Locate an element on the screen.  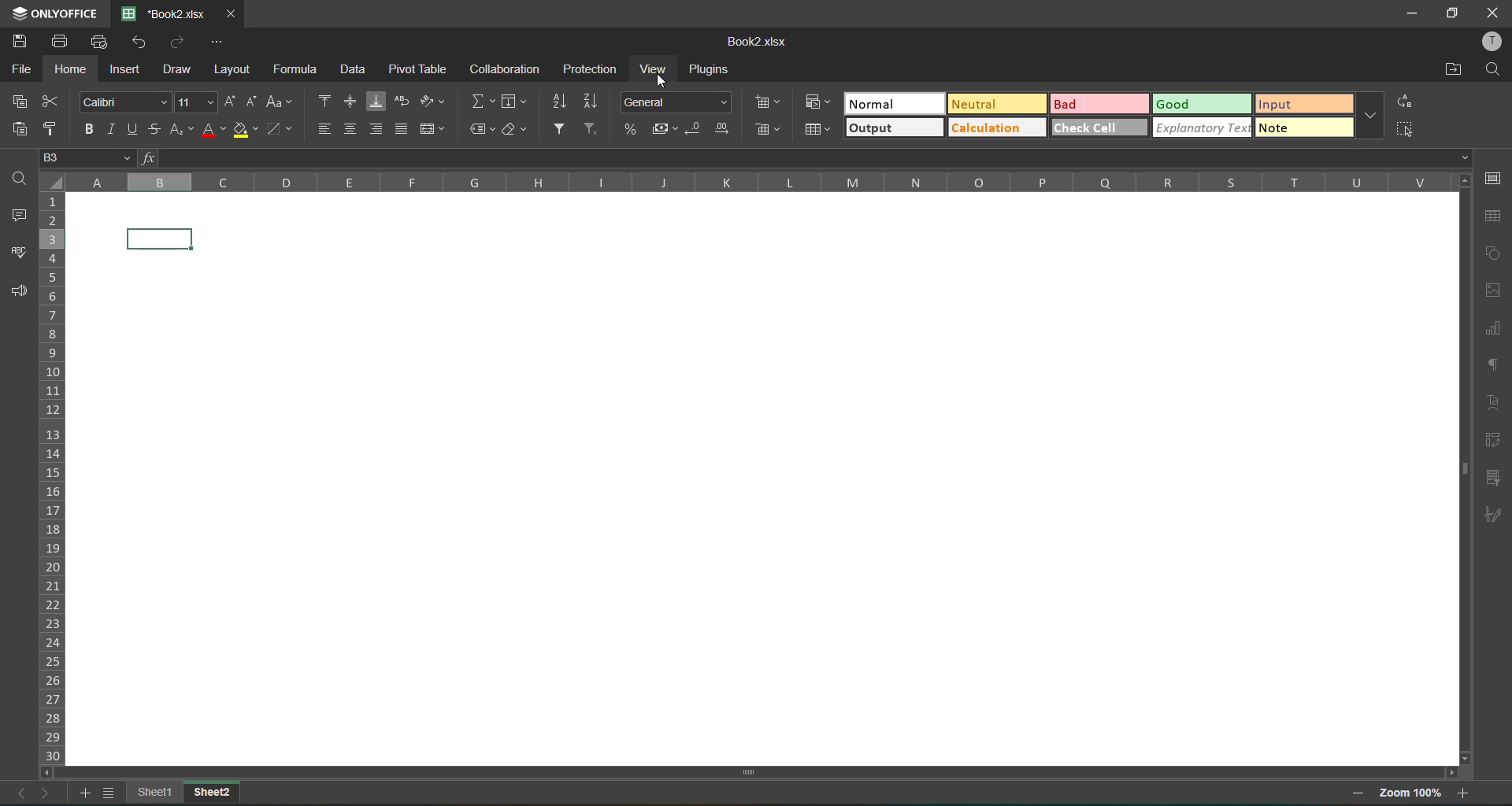
zoom out is located at coordinates (1359, 794).